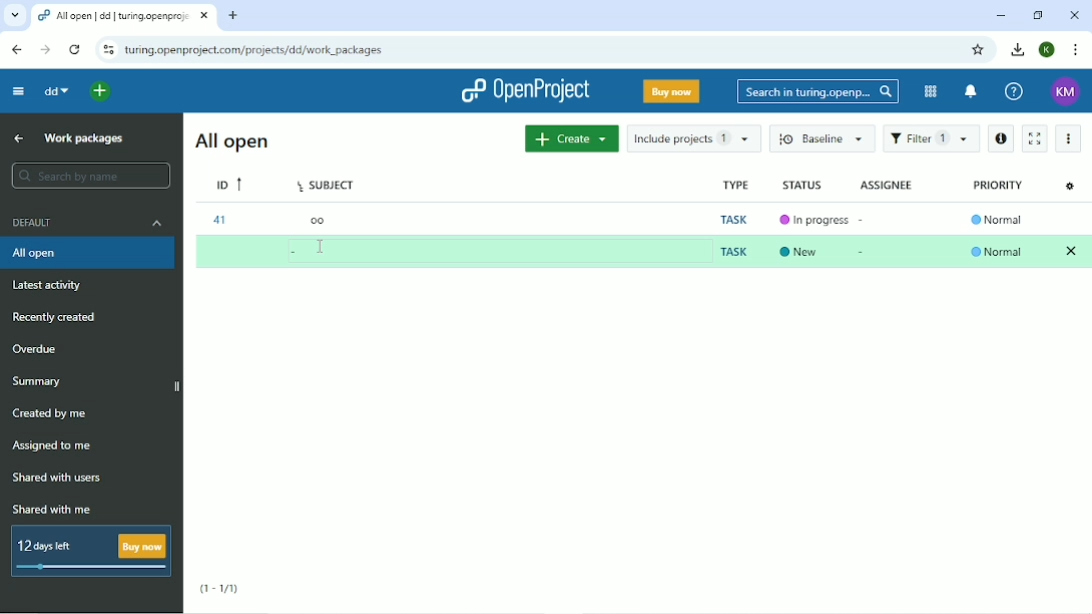  I want to click on All open, so click(230, 141).